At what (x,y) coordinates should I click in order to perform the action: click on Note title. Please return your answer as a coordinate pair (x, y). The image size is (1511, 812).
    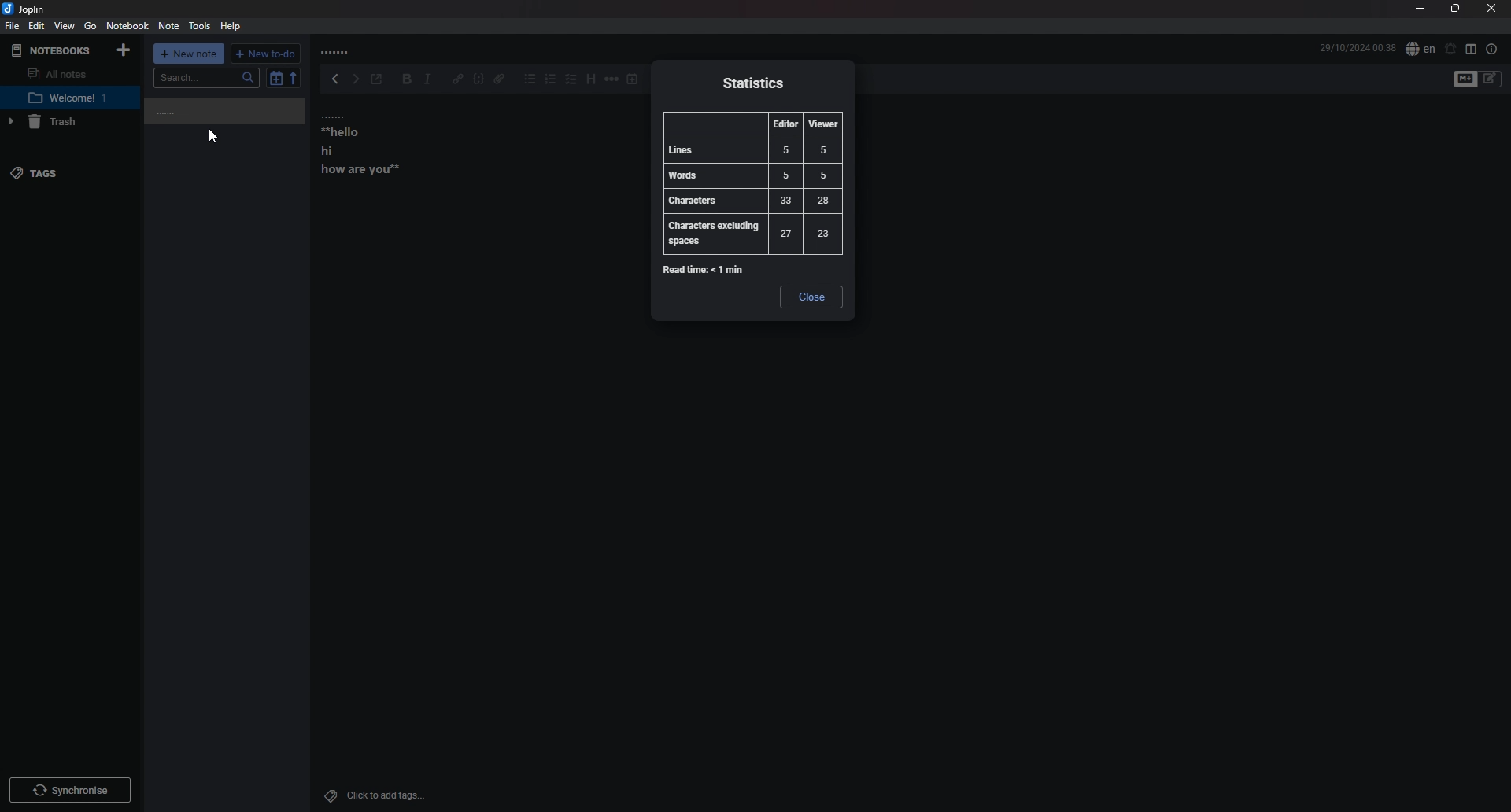
    Looking at the image, I should click on (338, 51).